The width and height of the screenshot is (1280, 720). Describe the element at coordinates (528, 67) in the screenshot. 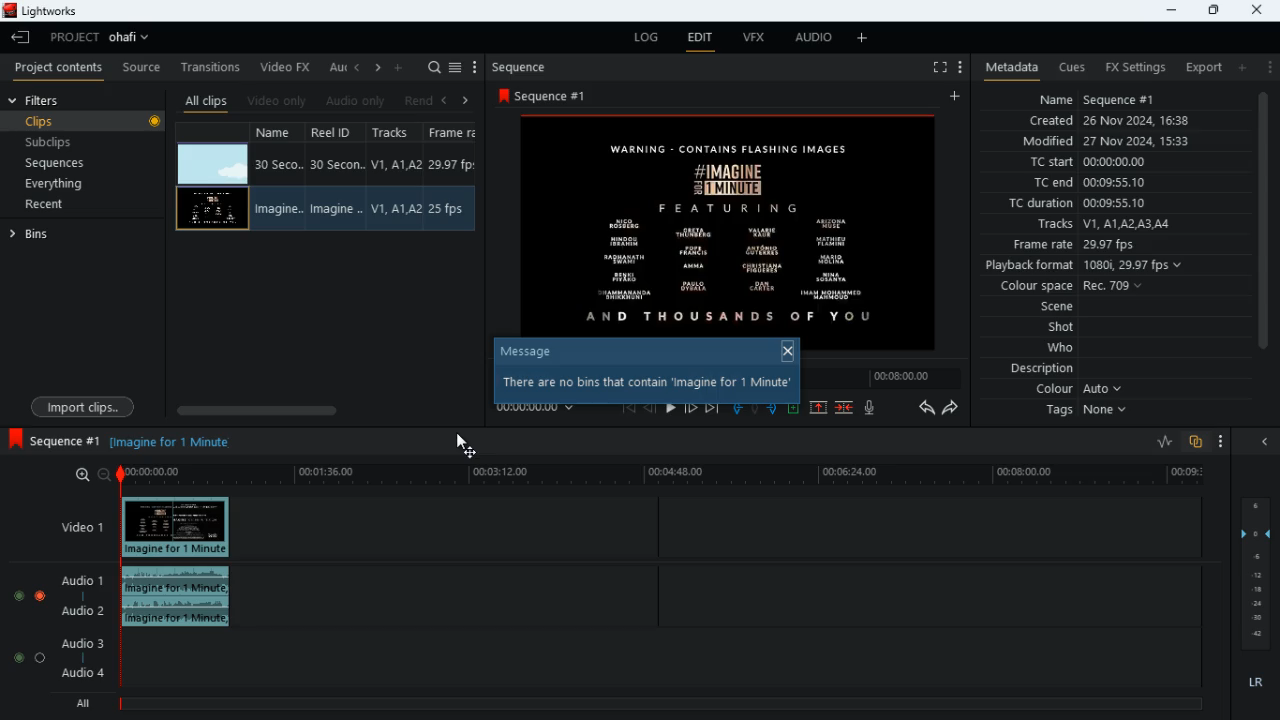

I see `sequence` at that location.